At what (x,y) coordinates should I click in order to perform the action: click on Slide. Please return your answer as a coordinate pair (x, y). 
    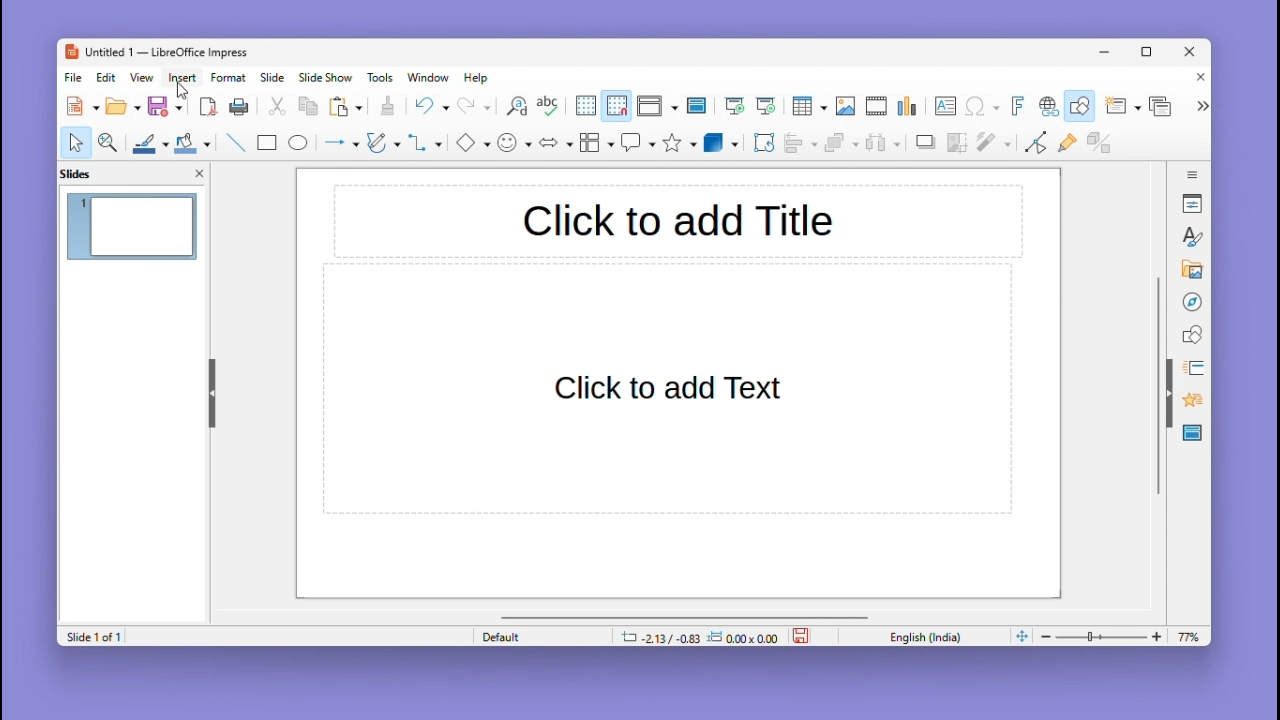
    Looking at the image, I should click on (273, 77).